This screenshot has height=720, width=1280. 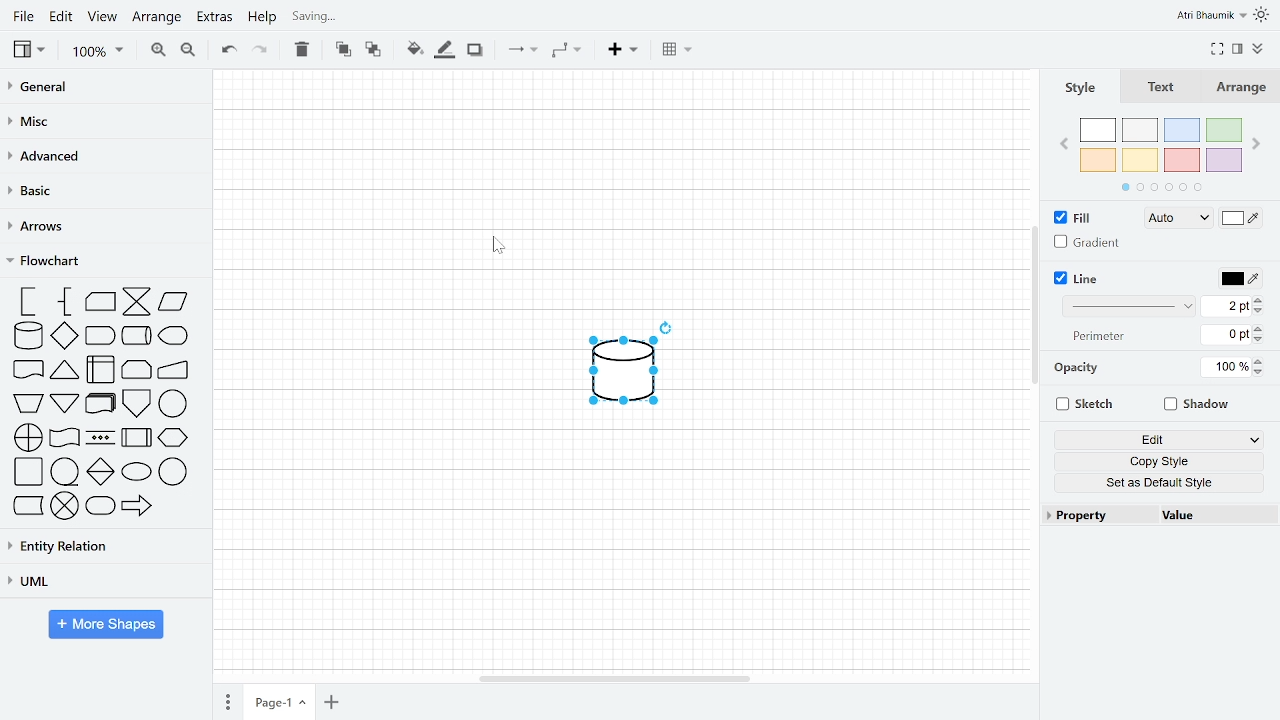 I want to click on Set as default style, so click(x=1160, y=484).